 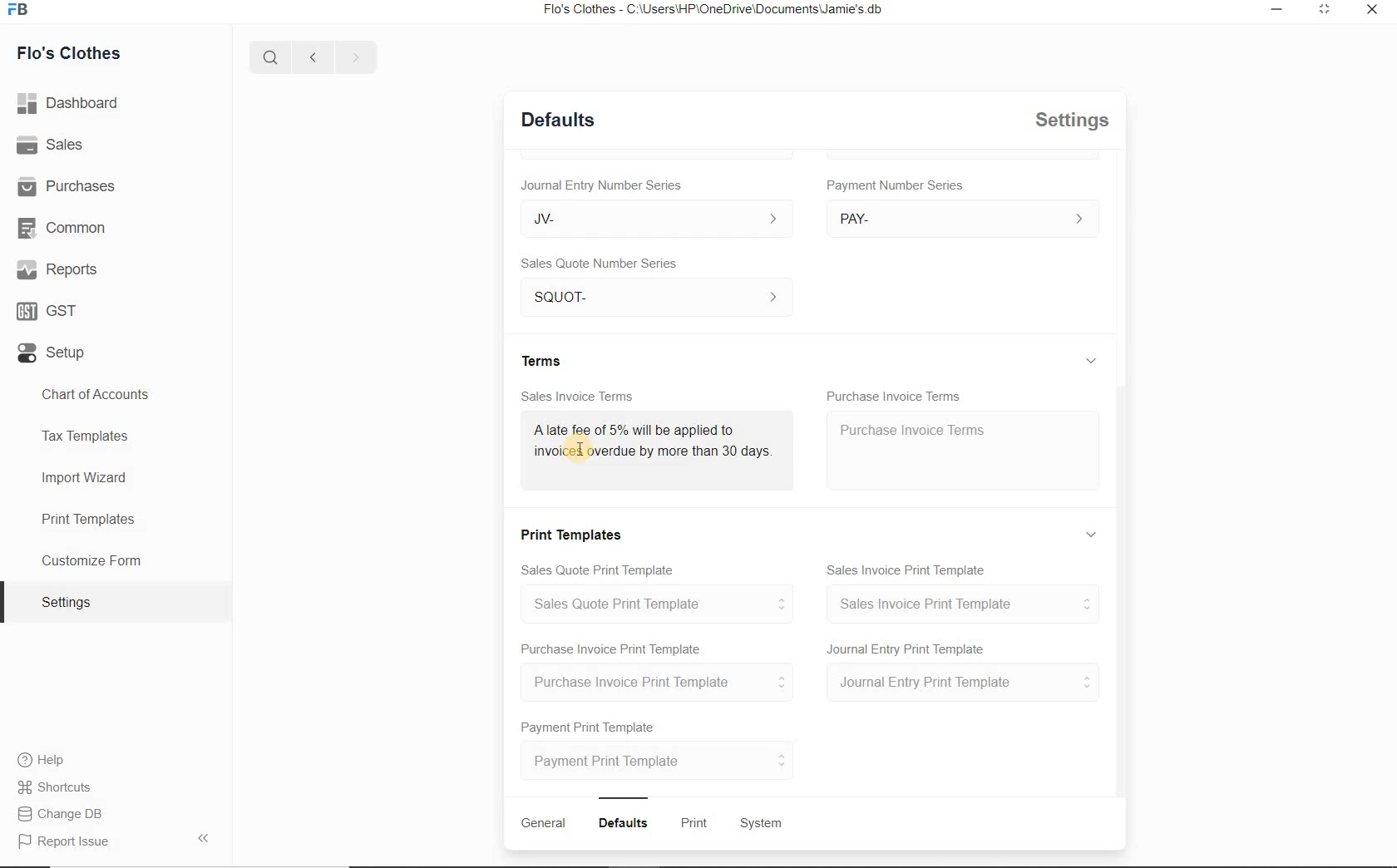 What do you see at coordinates (62, 816) in the screenshot?
I see `Change DB` at bounding box center [62, 816].